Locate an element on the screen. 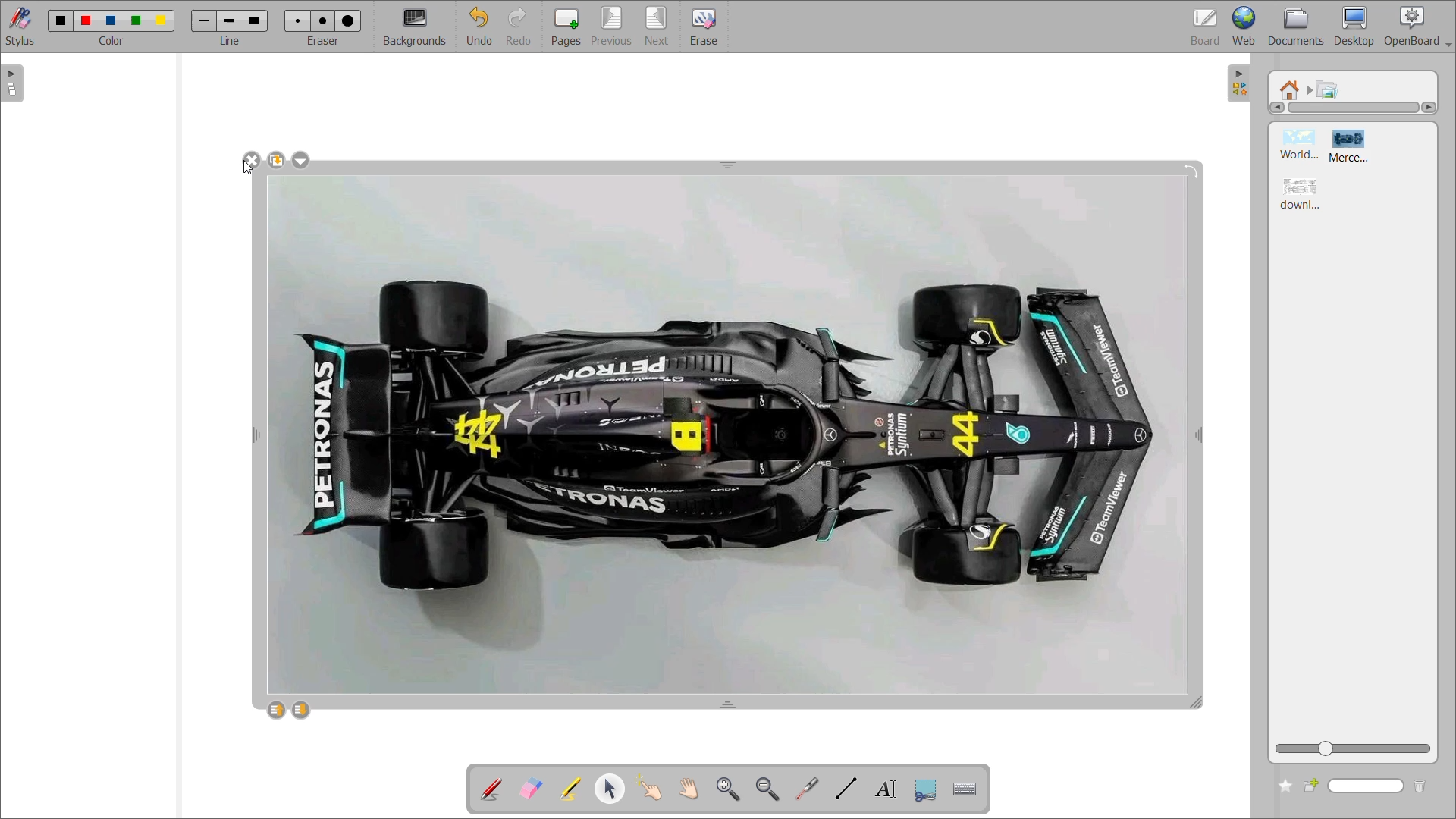 The height and width of the screenshot is (819, 1456). image 3 is located at coordinates (1302, 191).